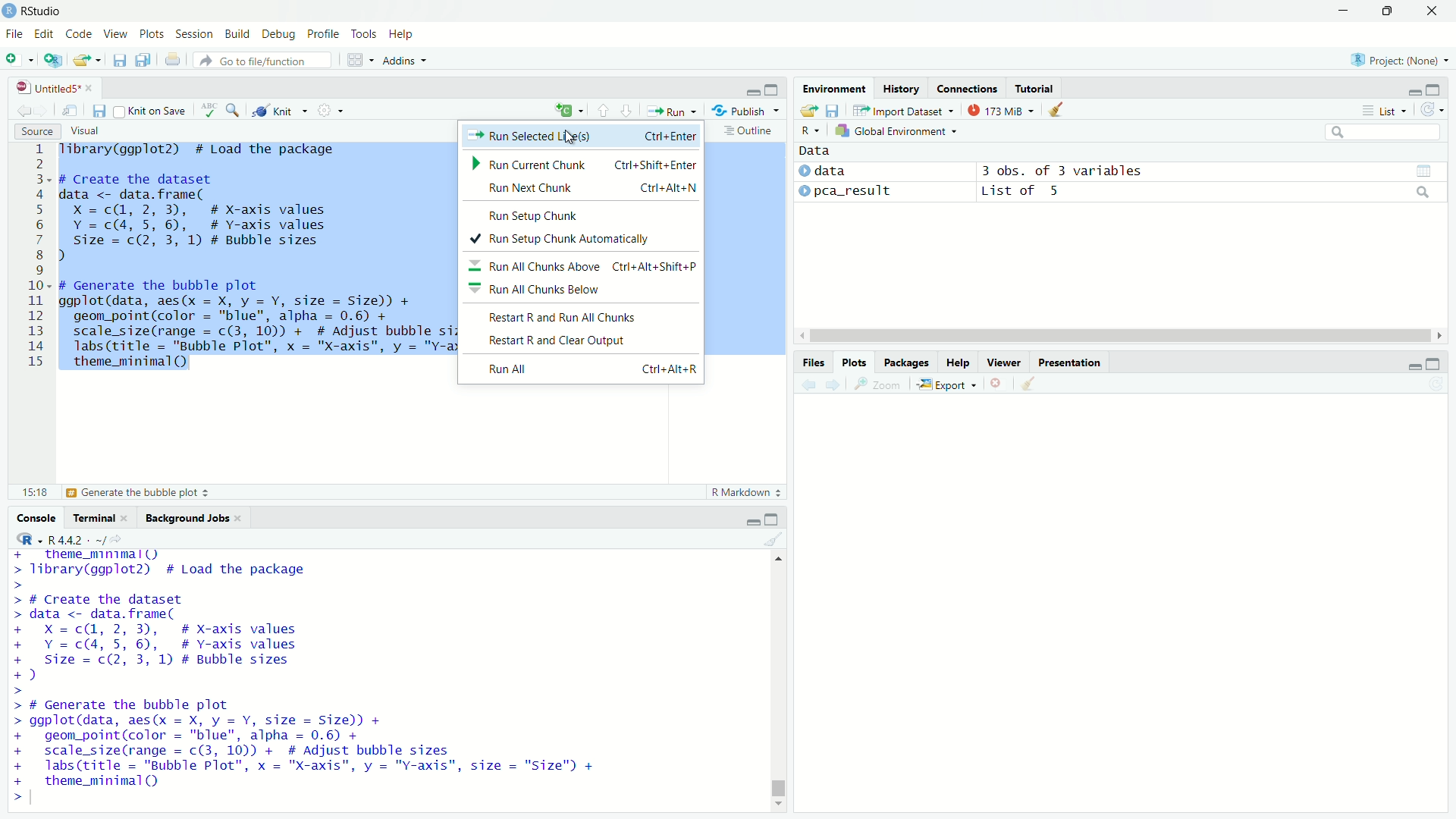  What do you see at coordinates (1057, 108) in the screenshot?
I see `clear objects` at bounding box center [1057, 108].